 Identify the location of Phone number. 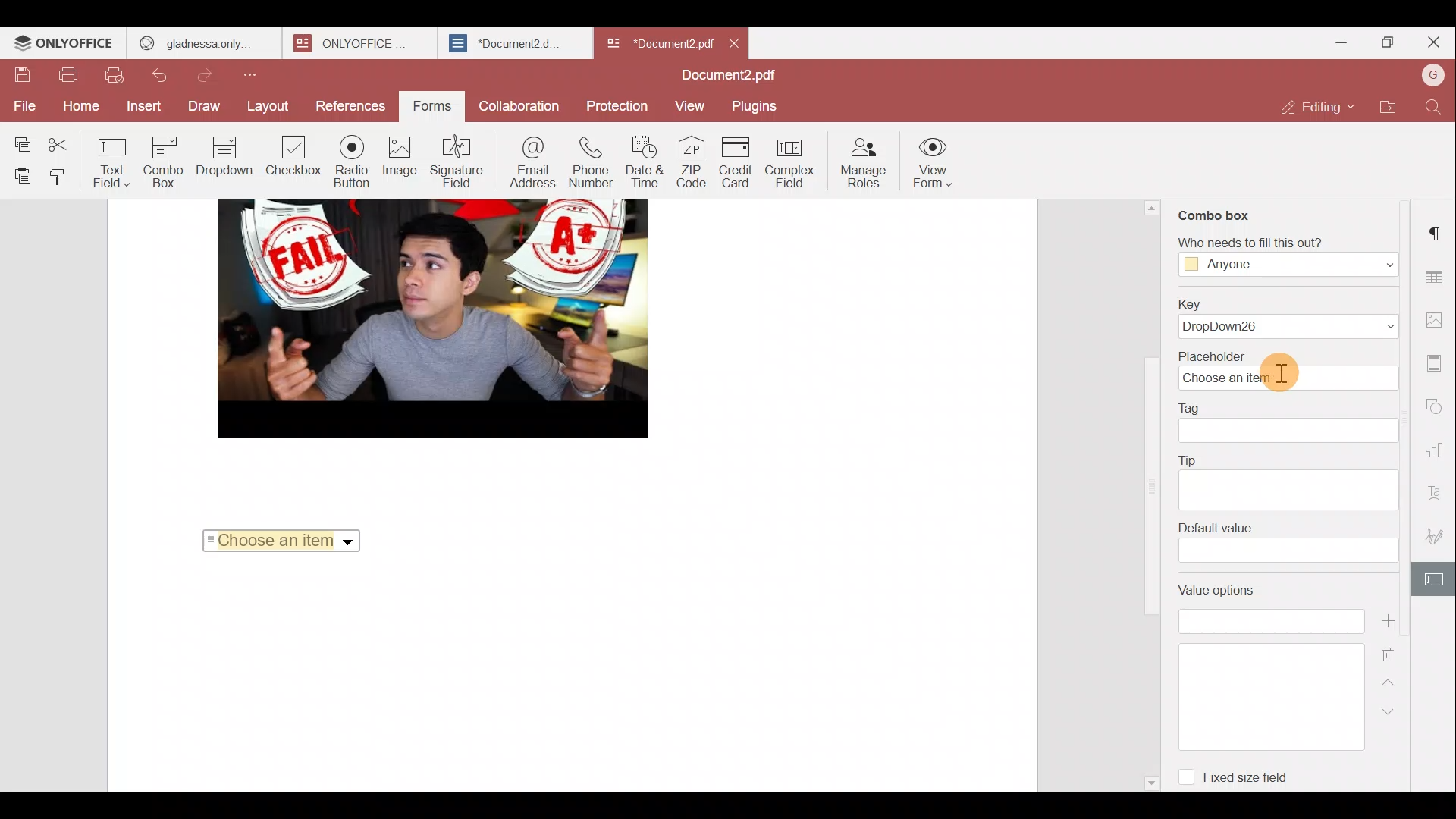
(591, 164).